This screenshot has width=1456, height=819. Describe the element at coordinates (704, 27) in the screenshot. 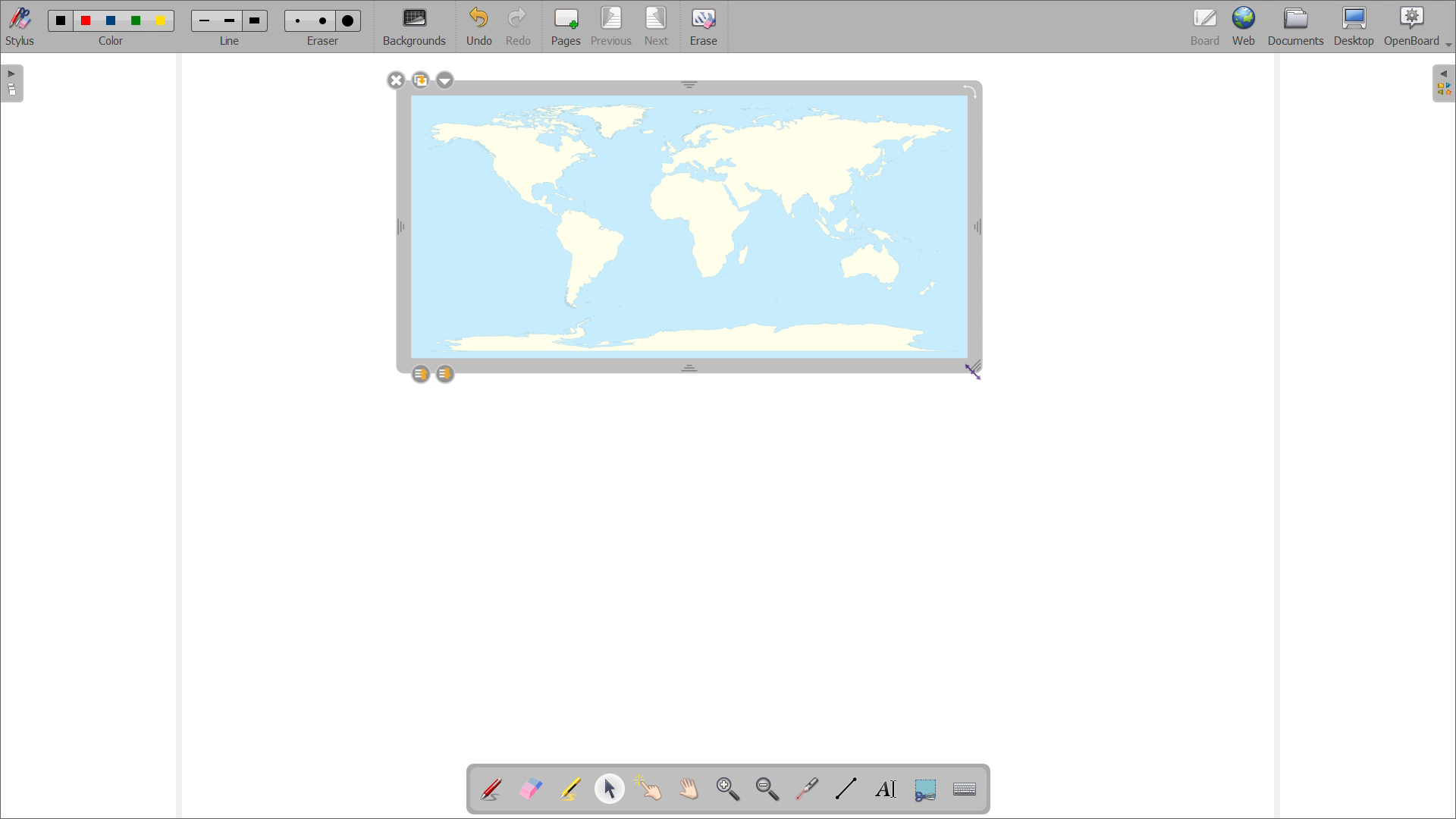

I see `erase` at that location.